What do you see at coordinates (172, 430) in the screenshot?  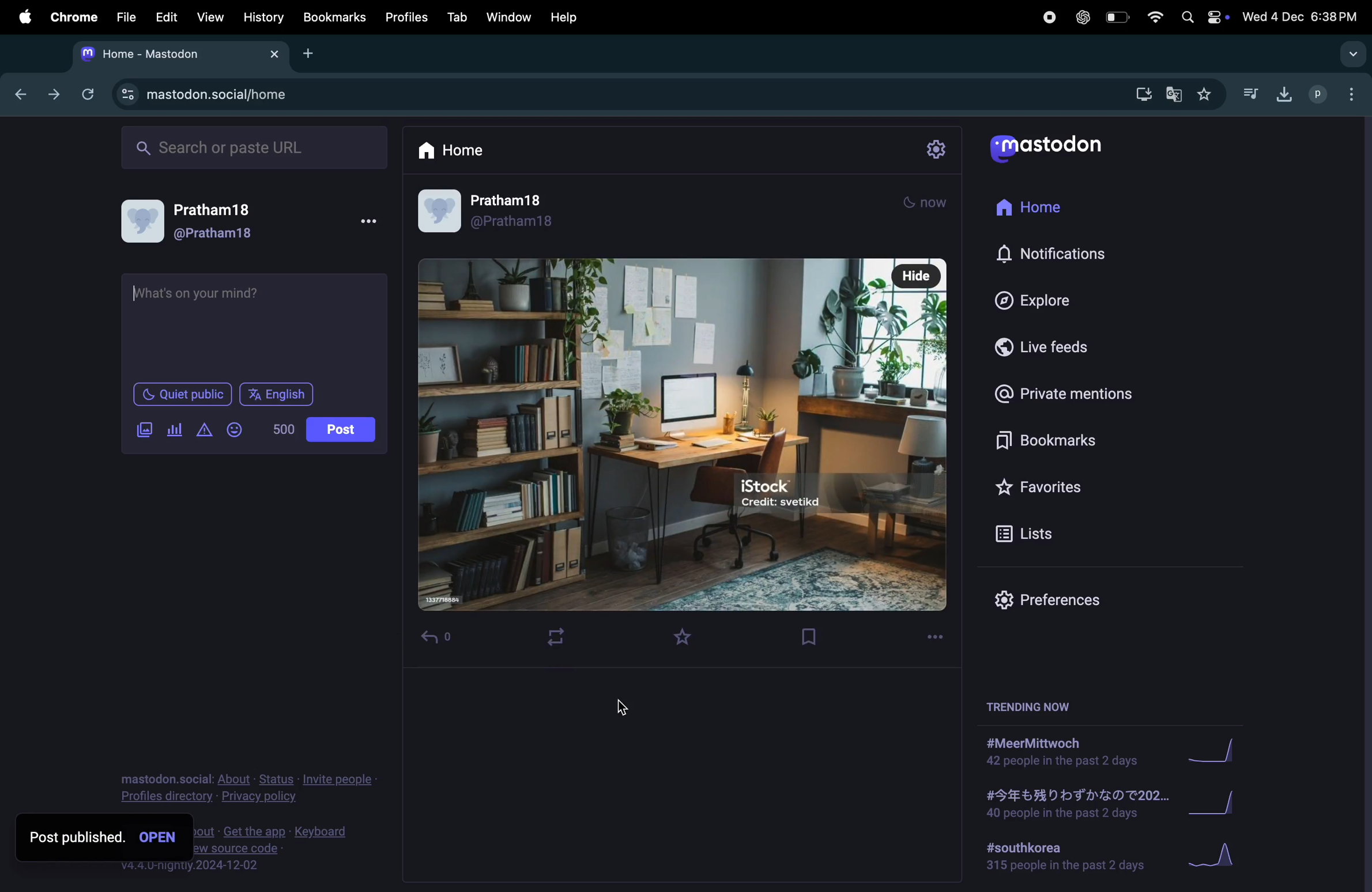 I see `poll` at bounding box center [172, 430].